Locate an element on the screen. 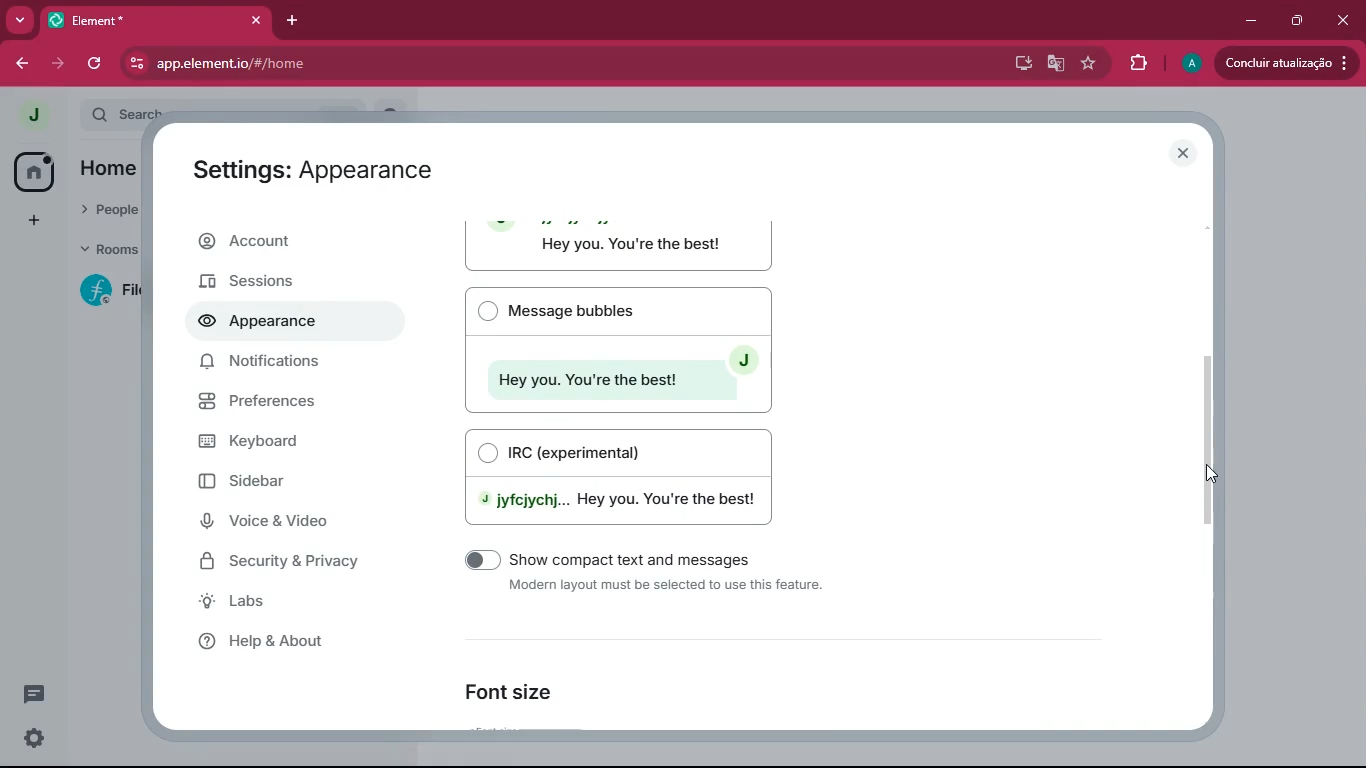  extensions is located at coordinates (1139, 64).